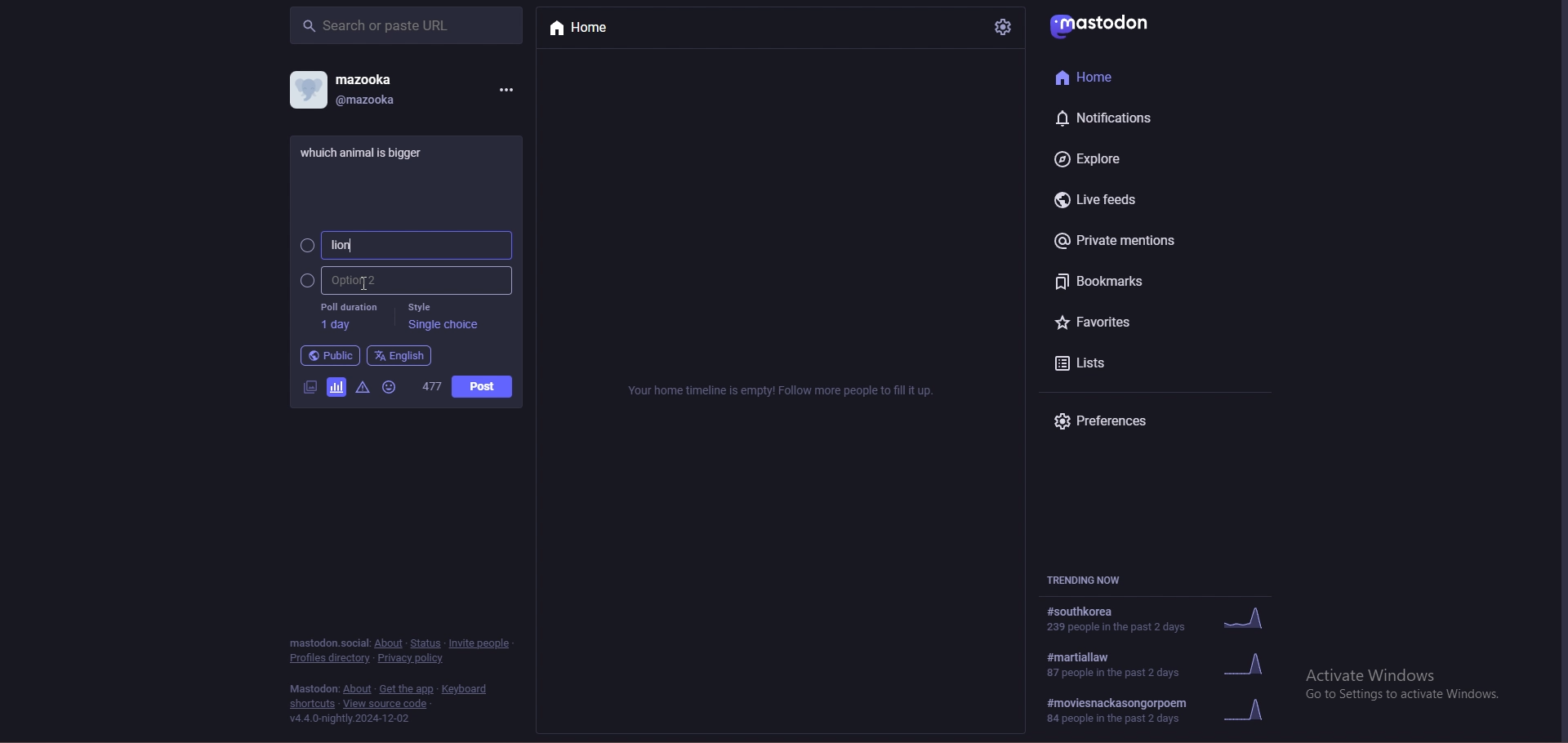 The image size is (1568, 743). What do you see at coordinates (481, 643) in the screenshot?
I see `invite people` at bounding box center [481, 643].